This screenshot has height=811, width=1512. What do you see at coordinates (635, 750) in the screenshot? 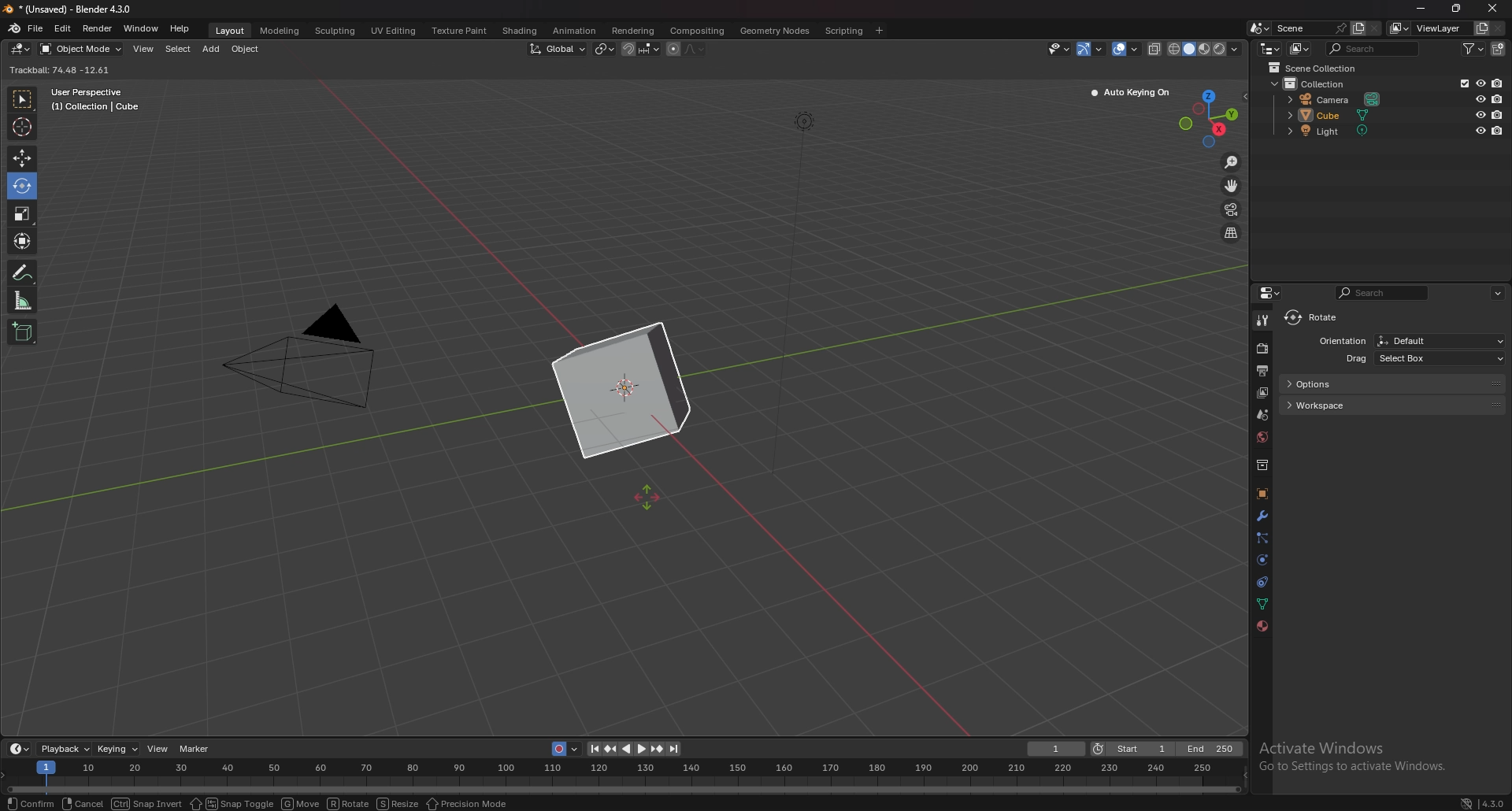
I see `play animation` at bounding box center [635, 750].